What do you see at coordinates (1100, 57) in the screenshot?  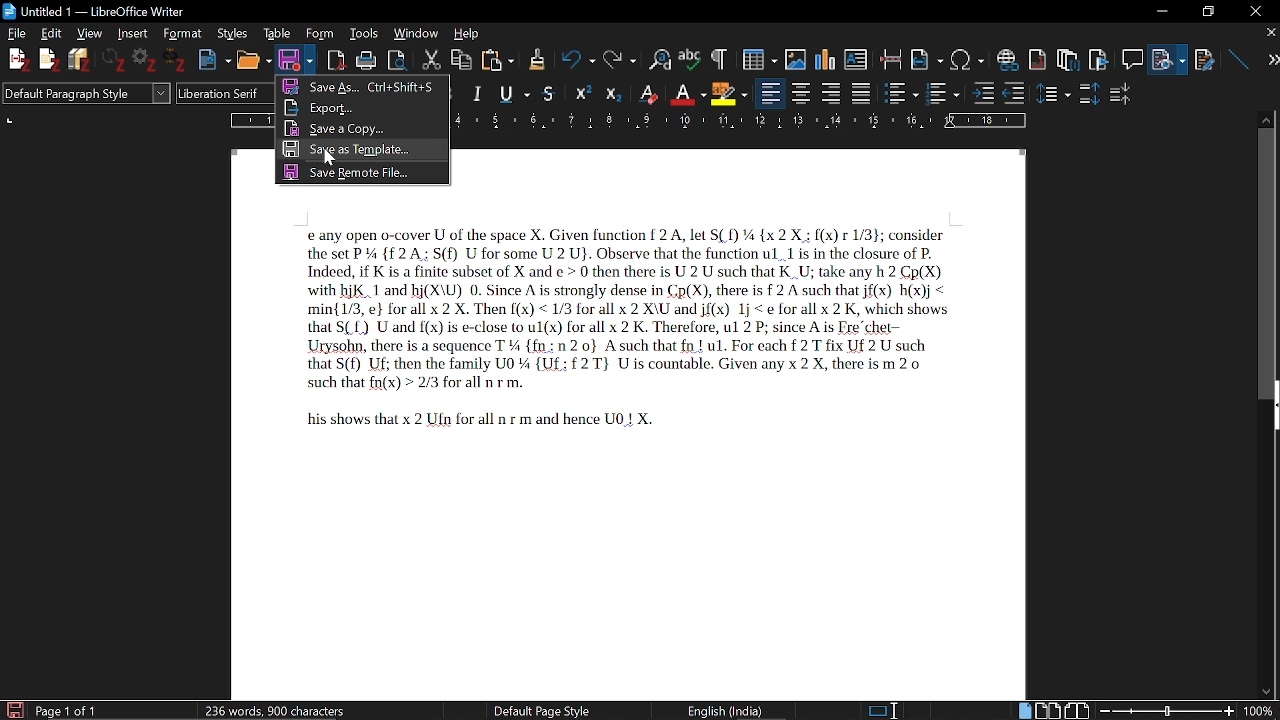 I see `insert bookmark` at bounding box center [1100, 57].